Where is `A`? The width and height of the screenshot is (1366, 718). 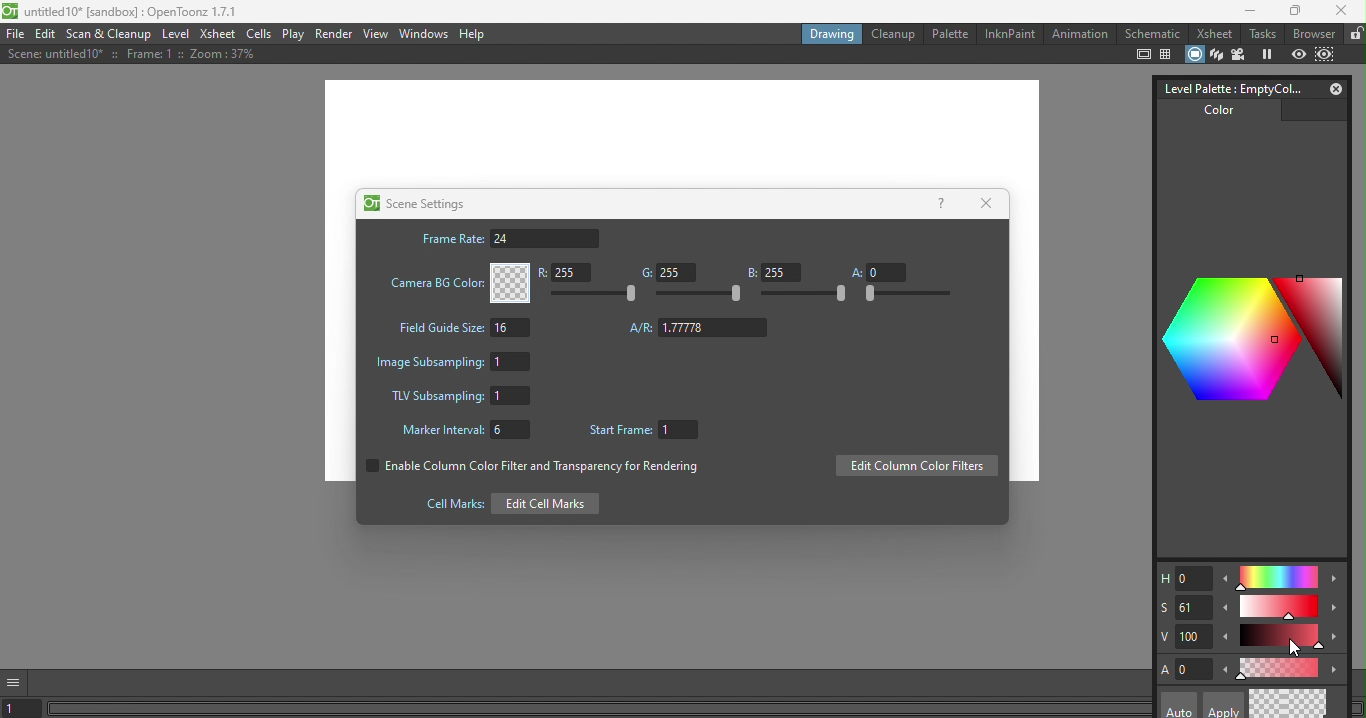 A is located at coordinates (1186, 669).